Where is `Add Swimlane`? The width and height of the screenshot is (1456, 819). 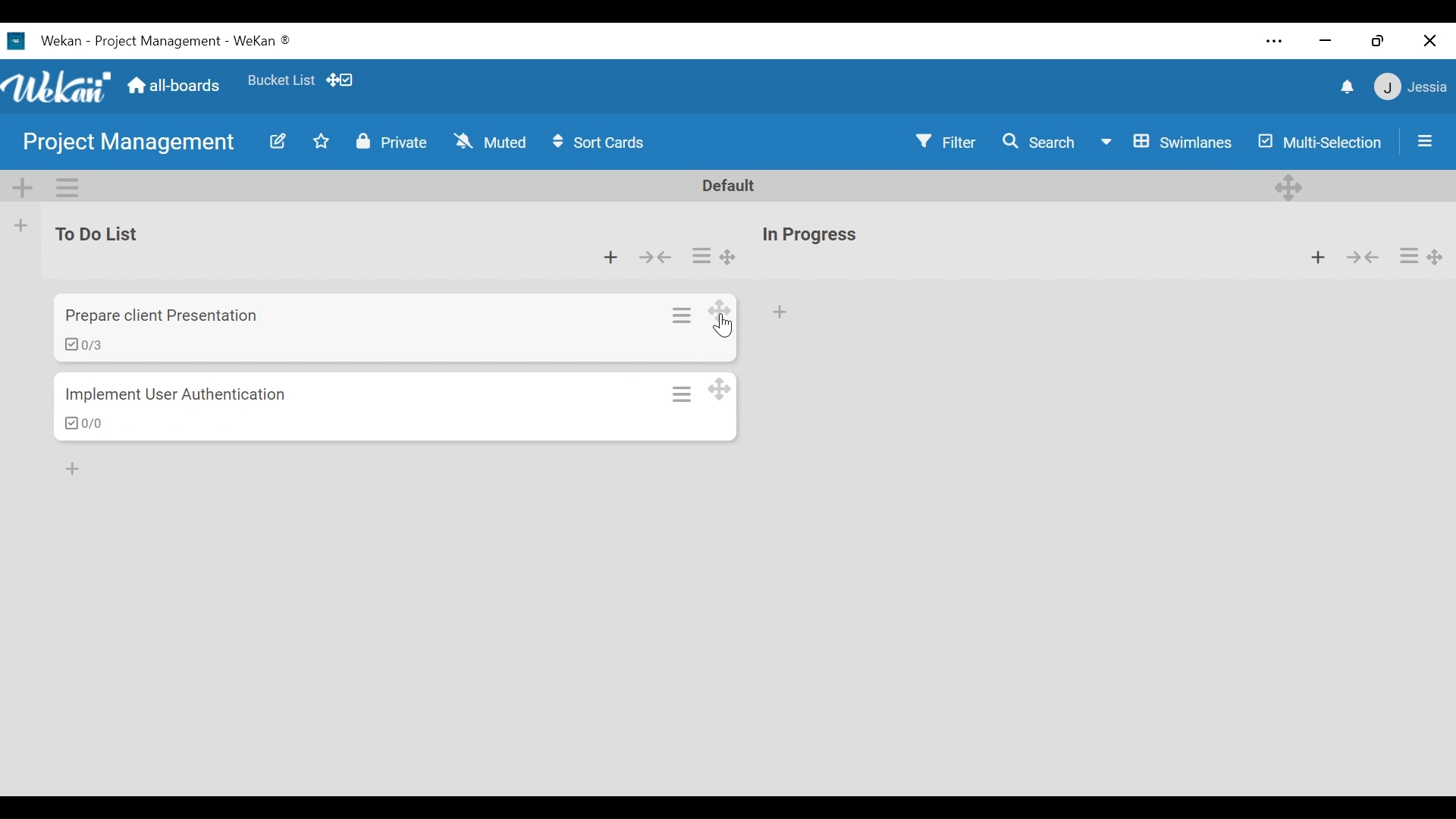
Add Swimlane is located at coordinates (25, 186).